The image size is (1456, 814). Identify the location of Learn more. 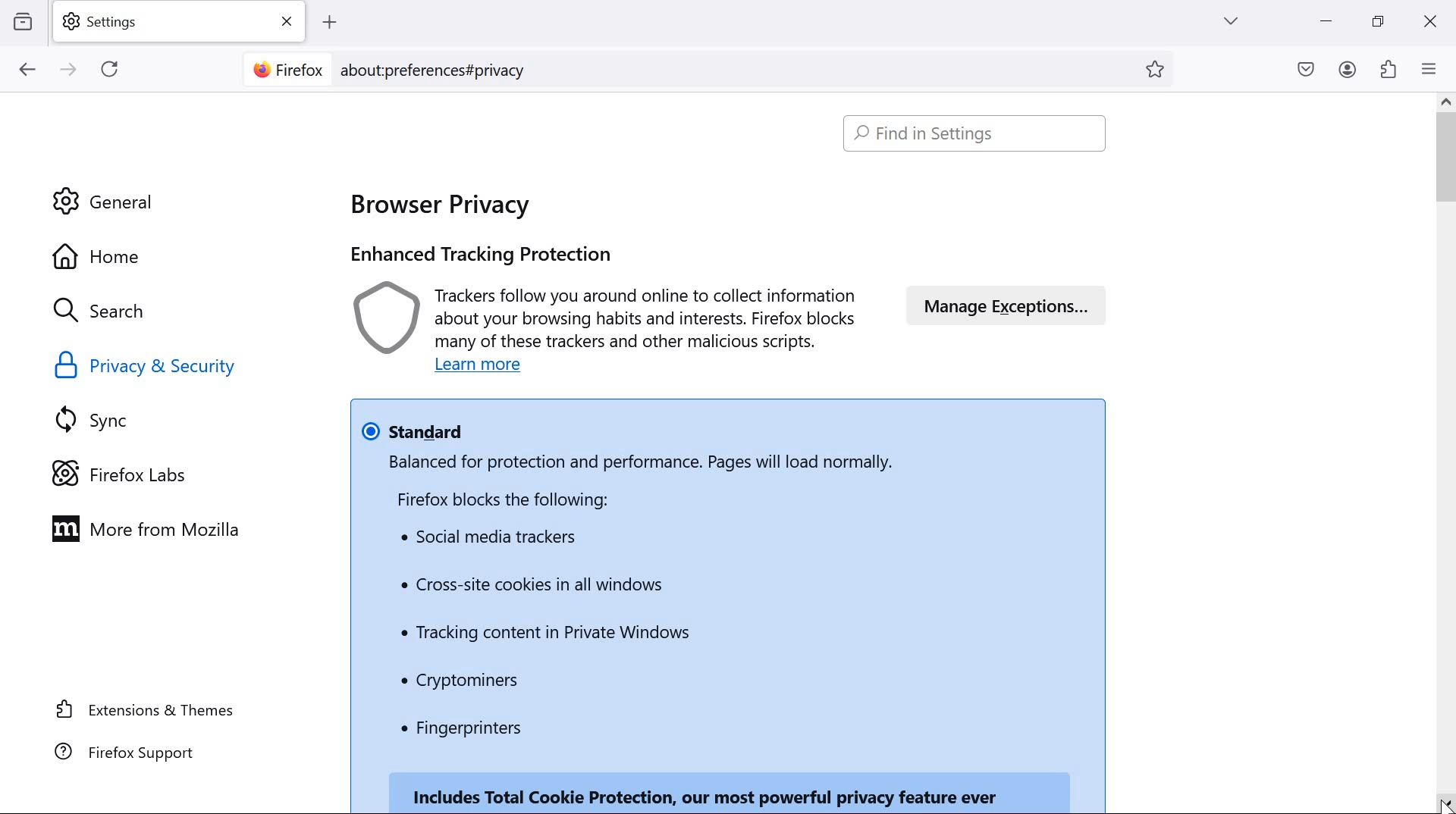
(478, 368).